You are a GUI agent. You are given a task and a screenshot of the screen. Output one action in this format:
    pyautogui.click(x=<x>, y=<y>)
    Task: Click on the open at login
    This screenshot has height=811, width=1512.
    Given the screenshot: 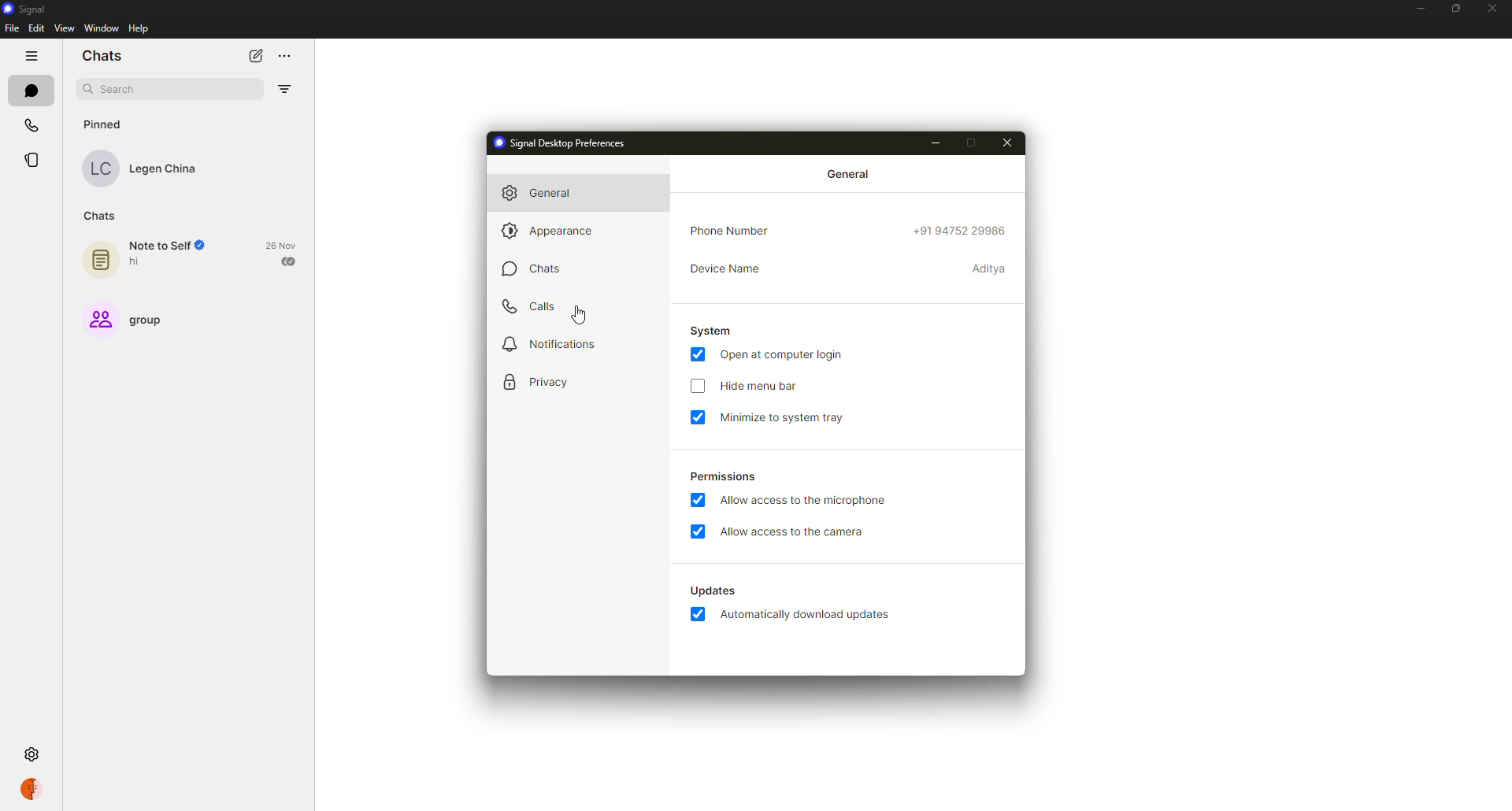 What is the action you would take?
    pyautogui.click(x=785, y=356)
    